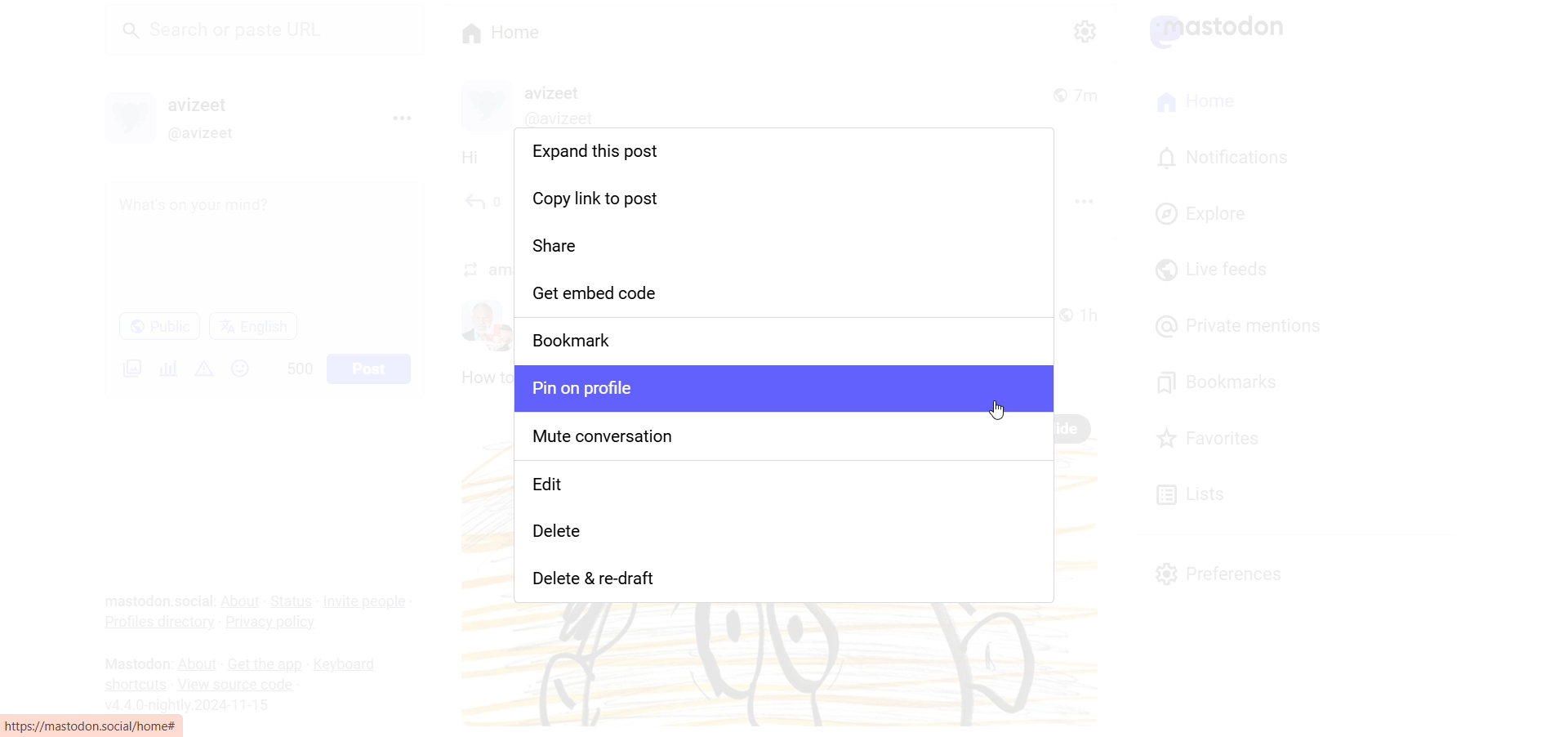 The image size is (1568, 737). What do you see at coordinates (193, 703) in the screenshot?
I see `Version` at bounding box center [193, 703].